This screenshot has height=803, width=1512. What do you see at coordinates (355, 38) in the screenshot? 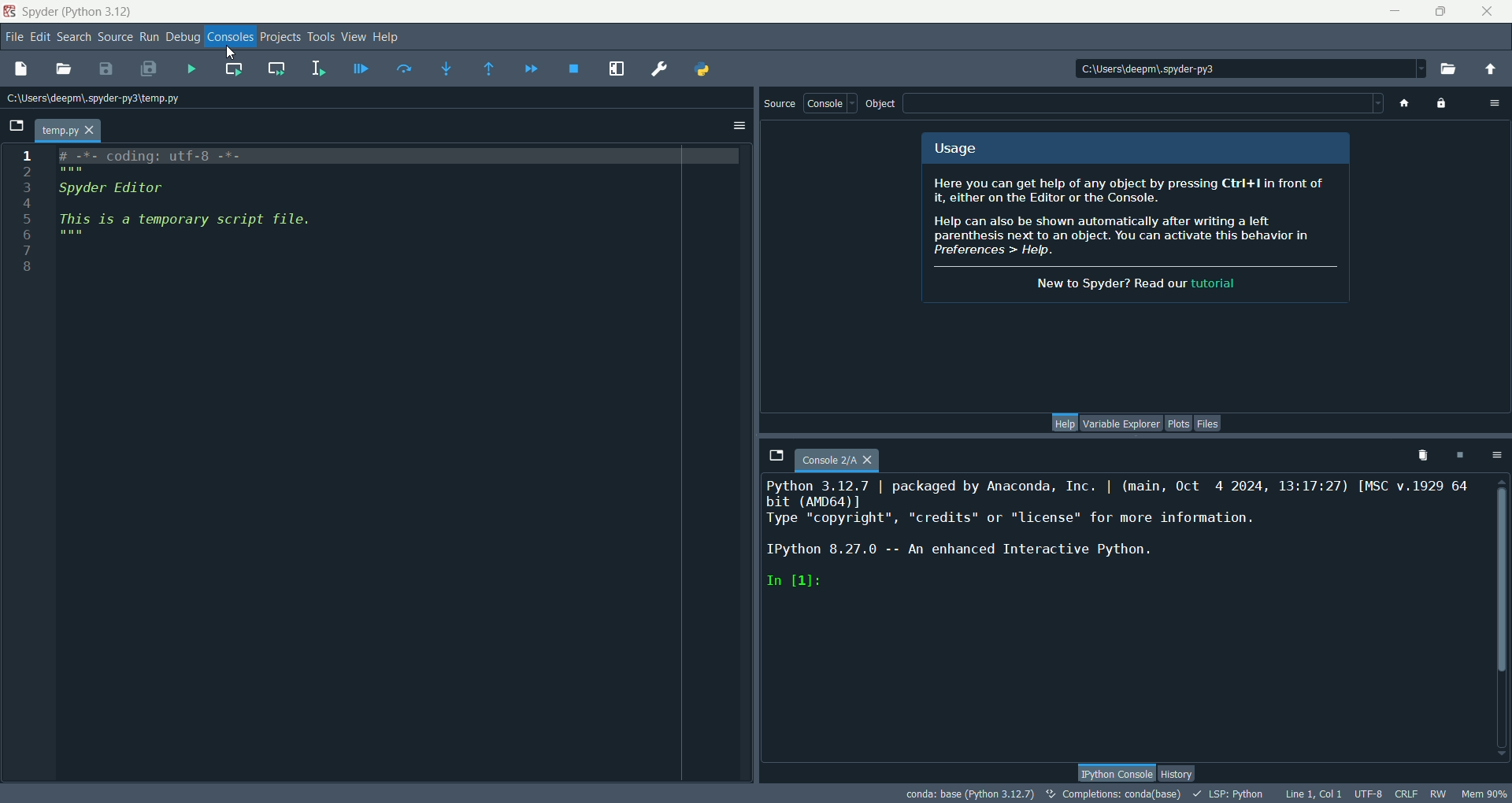
I see `view` at bounding box center [355, 38].